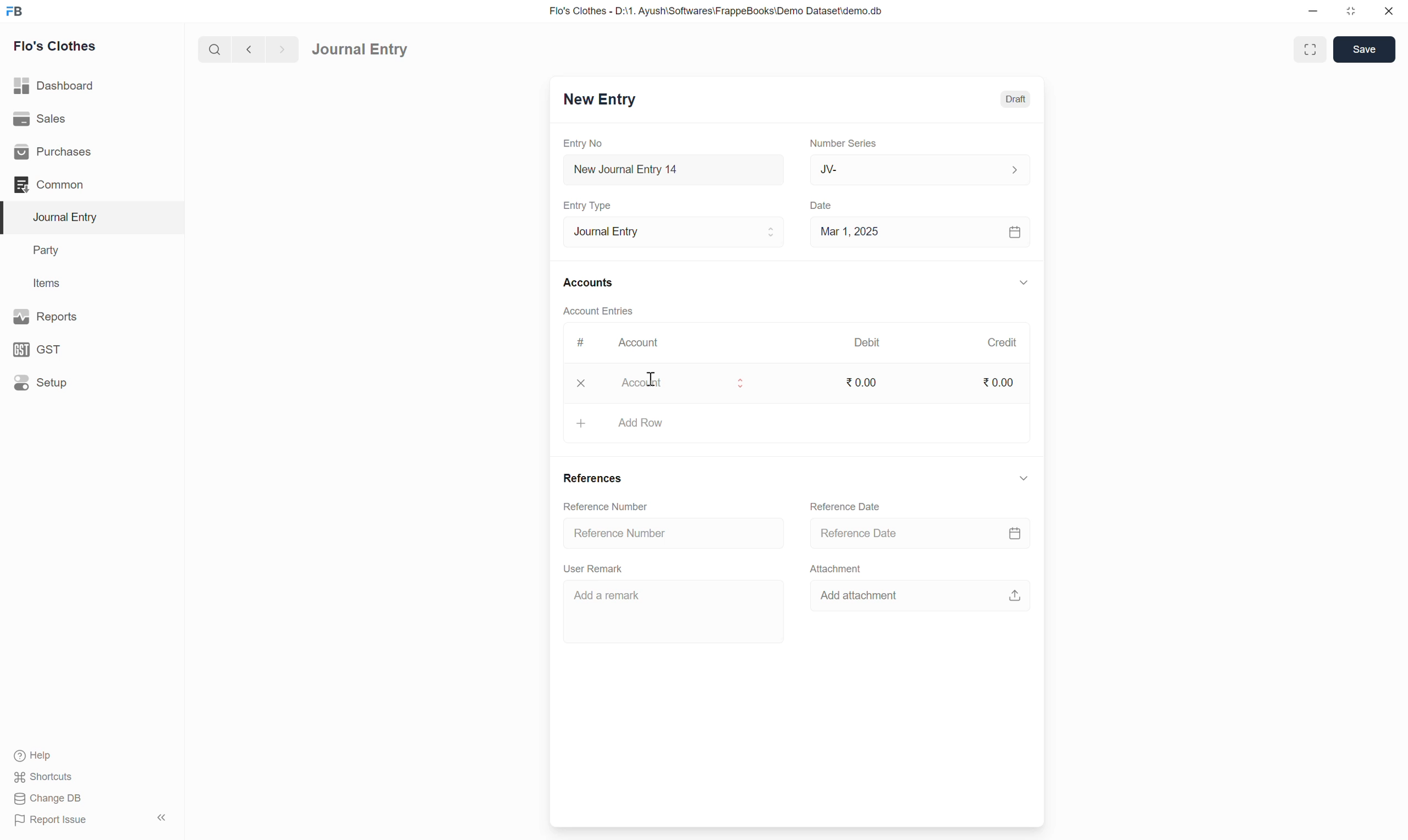 The width and height of the screenshot is (1408, 840). What do you see at coordinates (600, 98) in the screenshot?
I see `New Entry` at bounding box center [600, 98].